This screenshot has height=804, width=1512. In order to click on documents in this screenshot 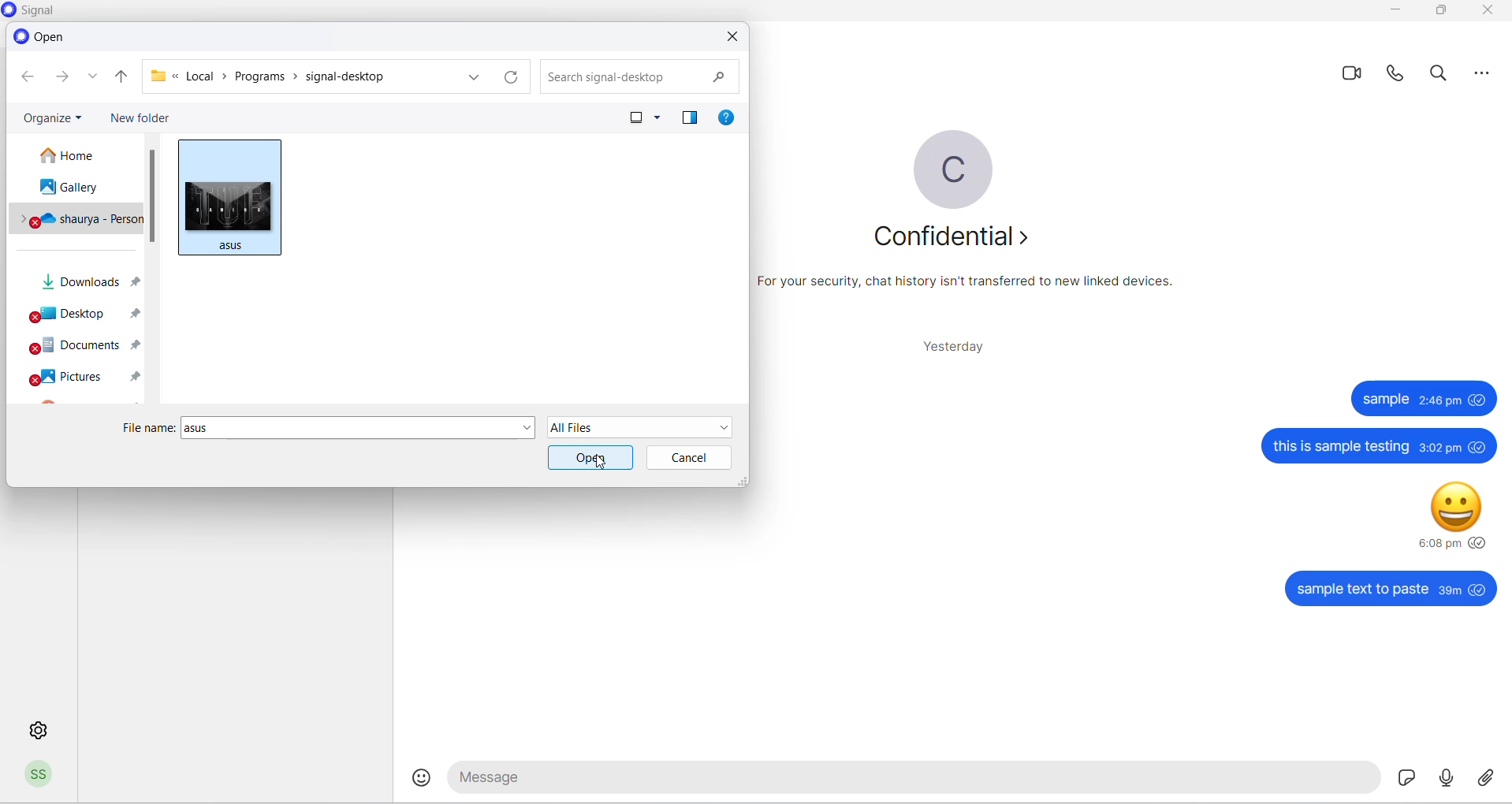, I will do `click(78, 348)`.